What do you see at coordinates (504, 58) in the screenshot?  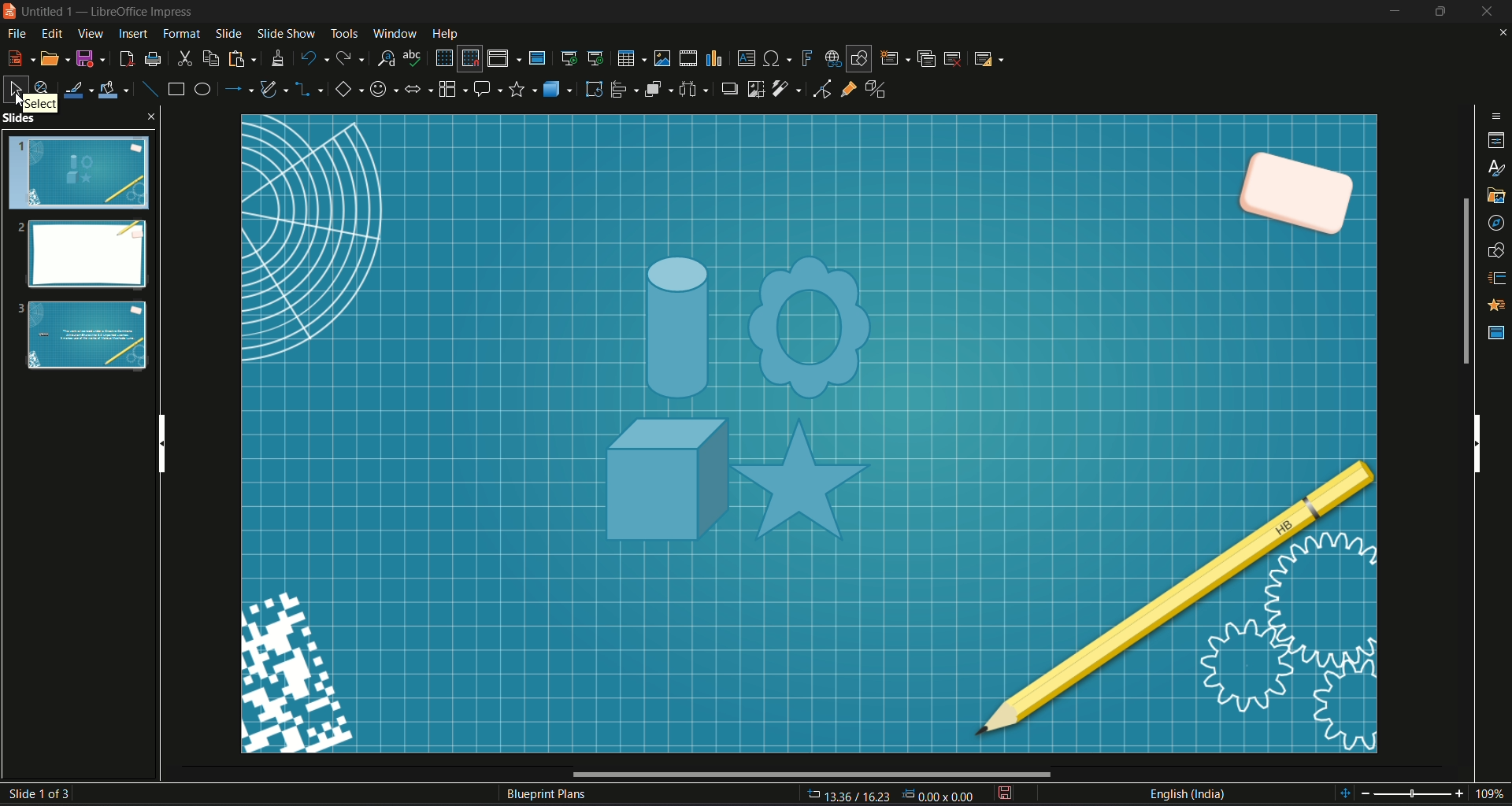 I see `display views` at bounding box center [504, 58].